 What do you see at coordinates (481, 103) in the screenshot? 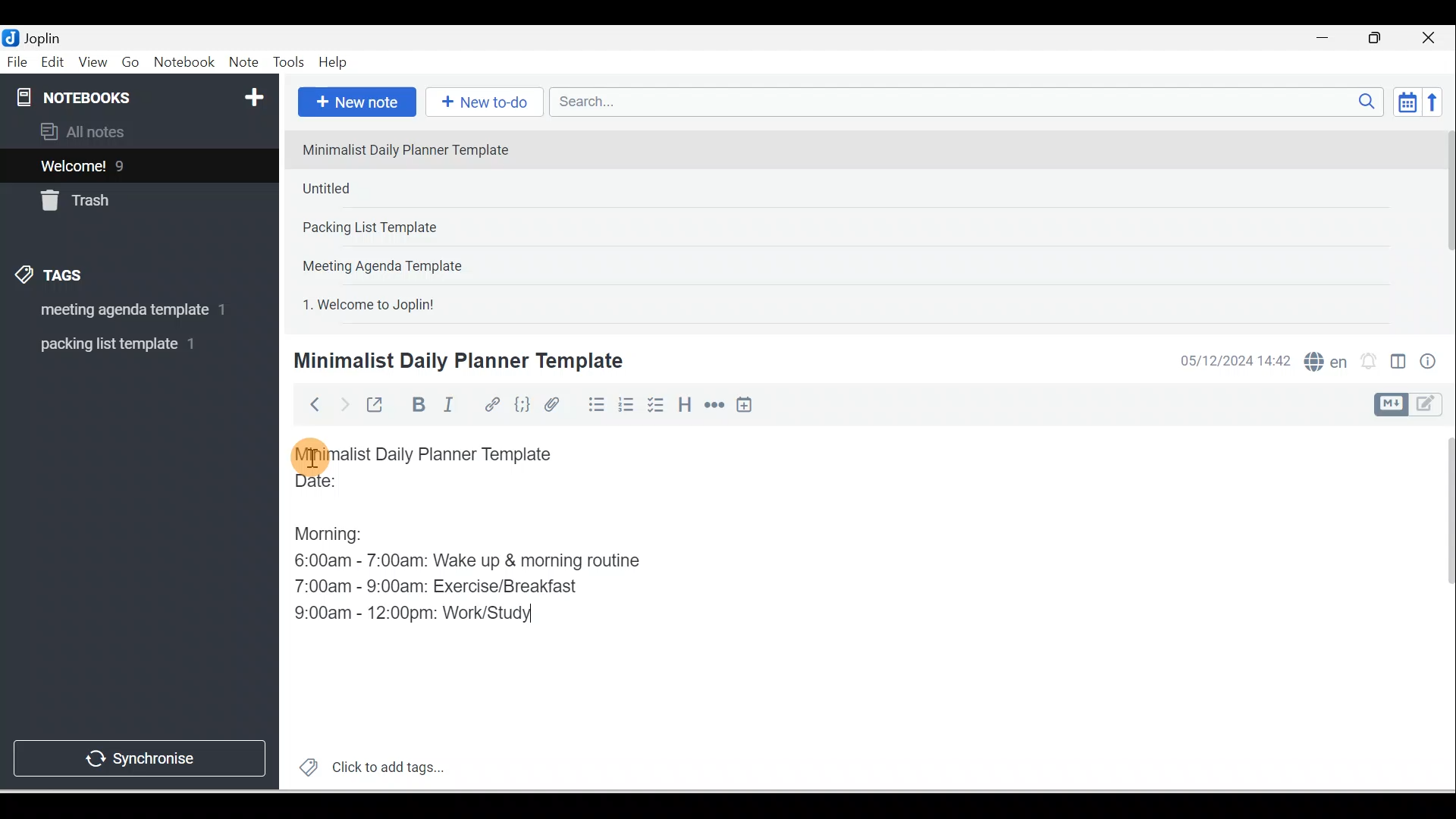
I see `New to-do` at bounding box center [481, 103].